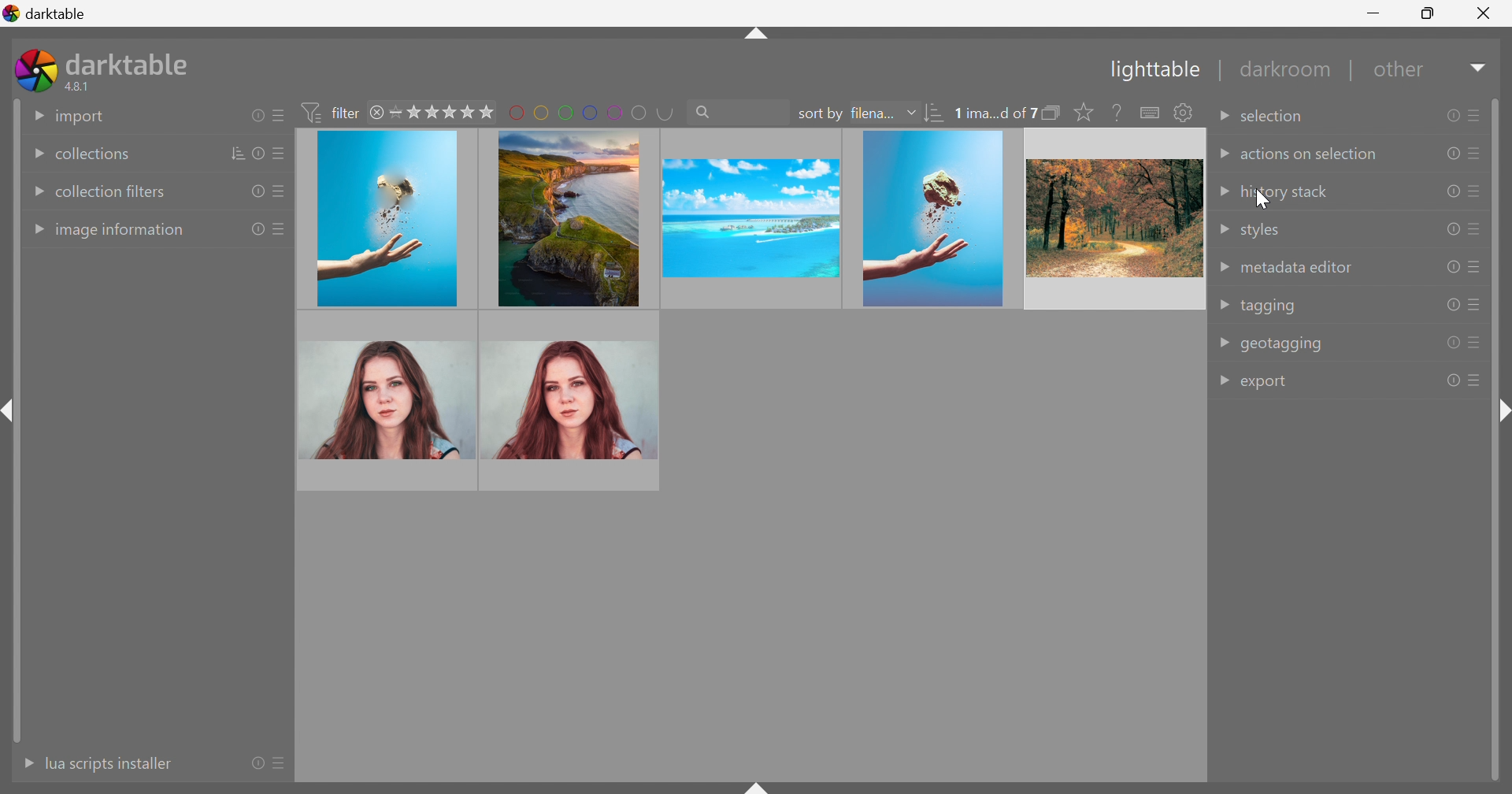 The image size is (1512, 794). What do you see at coordinates (1454, 267) in the screenshot?
I see `reset` at bounding box center [1454, 267].